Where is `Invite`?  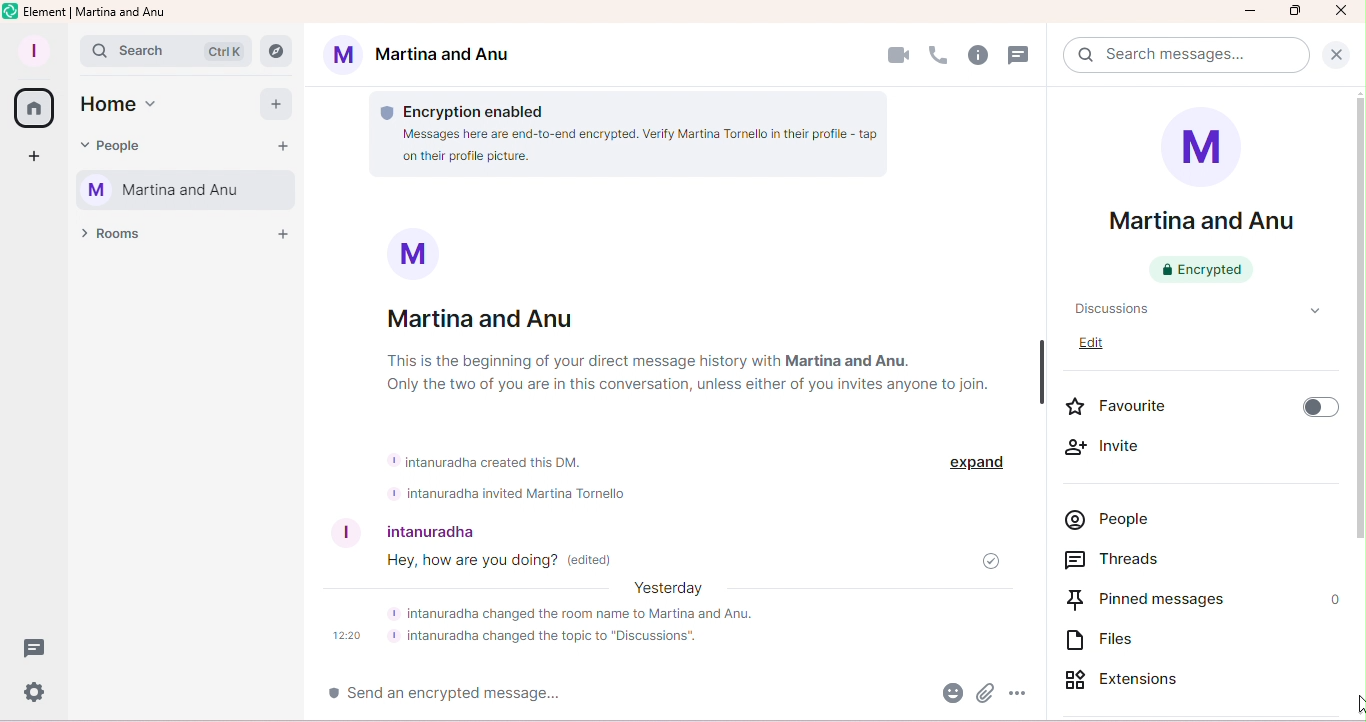
Invite is located at coordinates (1120, 448).